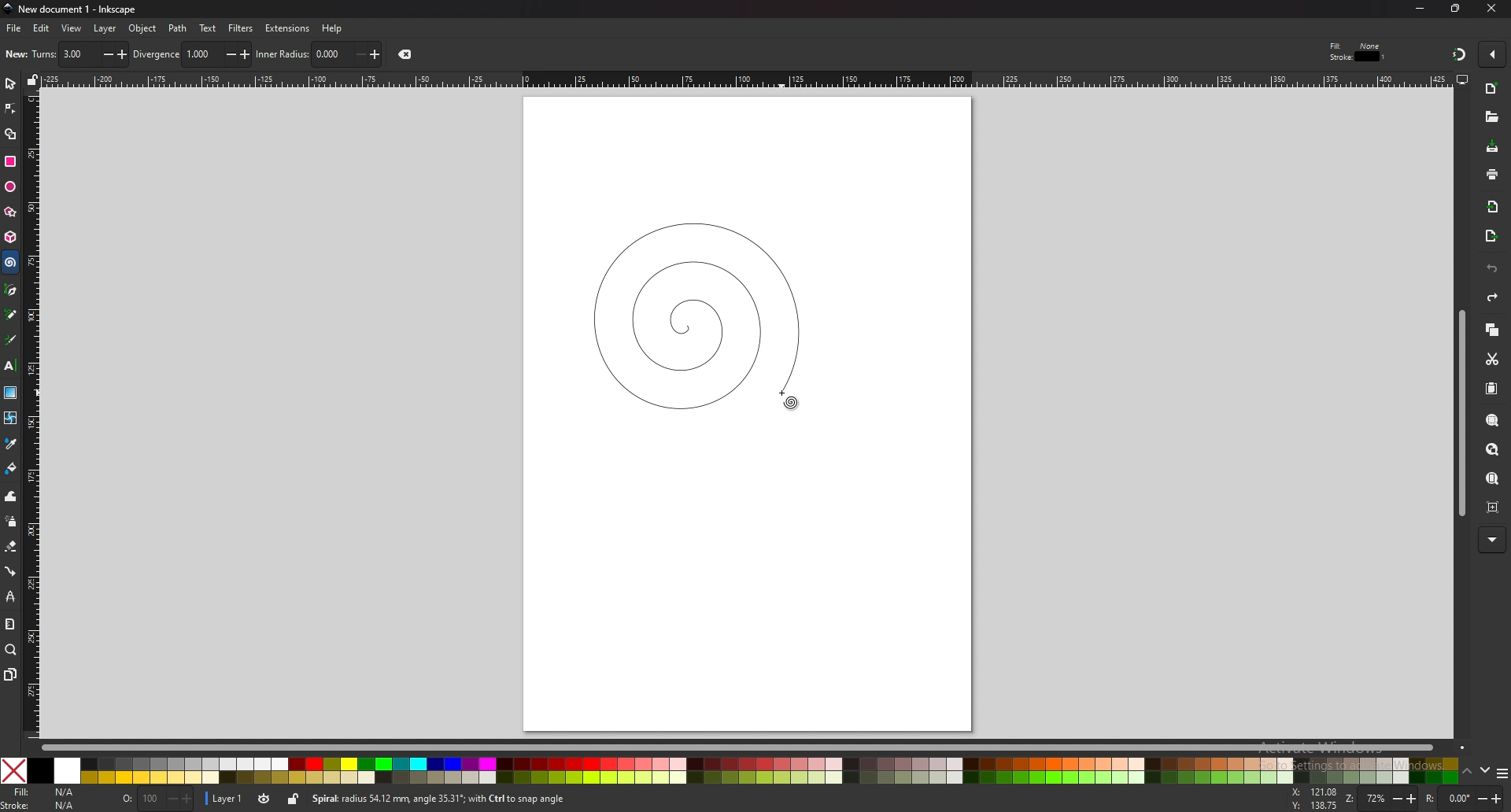 The image size is (1511, 812). I want to click on lock, so click(294, 801).